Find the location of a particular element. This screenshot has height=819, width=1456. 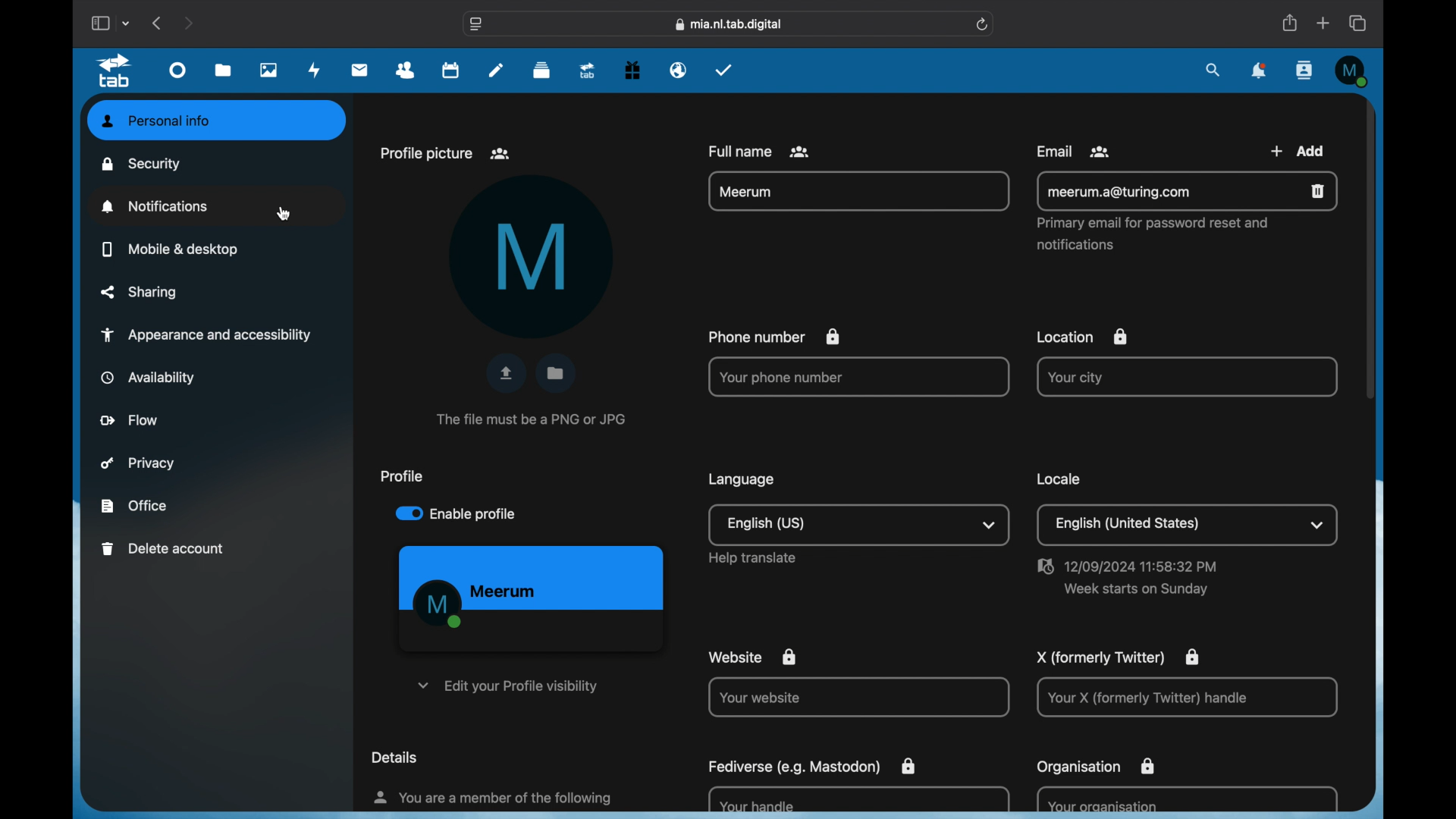

phone number is located at coordinates (777, 337).